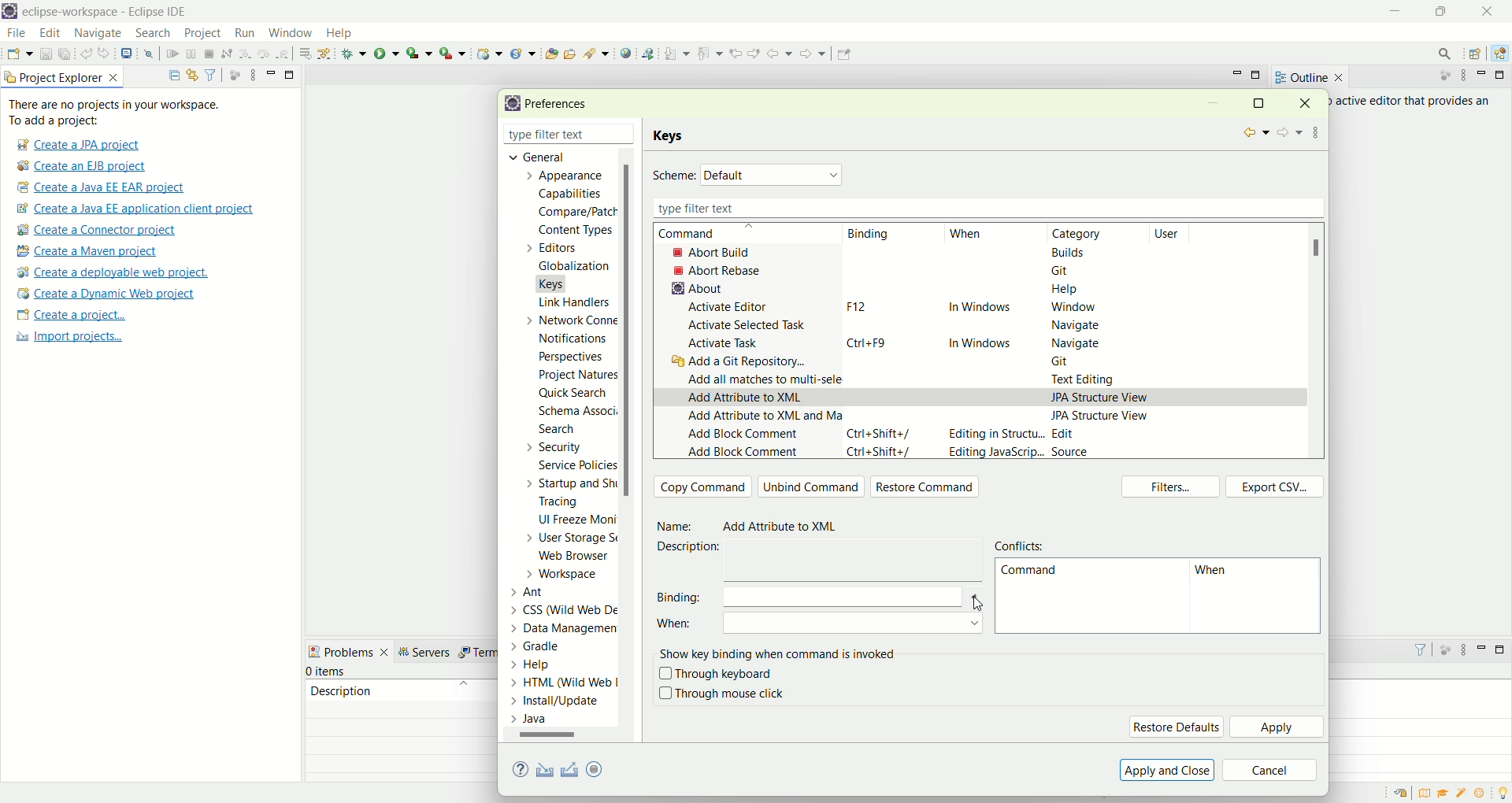  Describe the element at coordinates (966, 235) in the screenshot. I see `when` at that location.